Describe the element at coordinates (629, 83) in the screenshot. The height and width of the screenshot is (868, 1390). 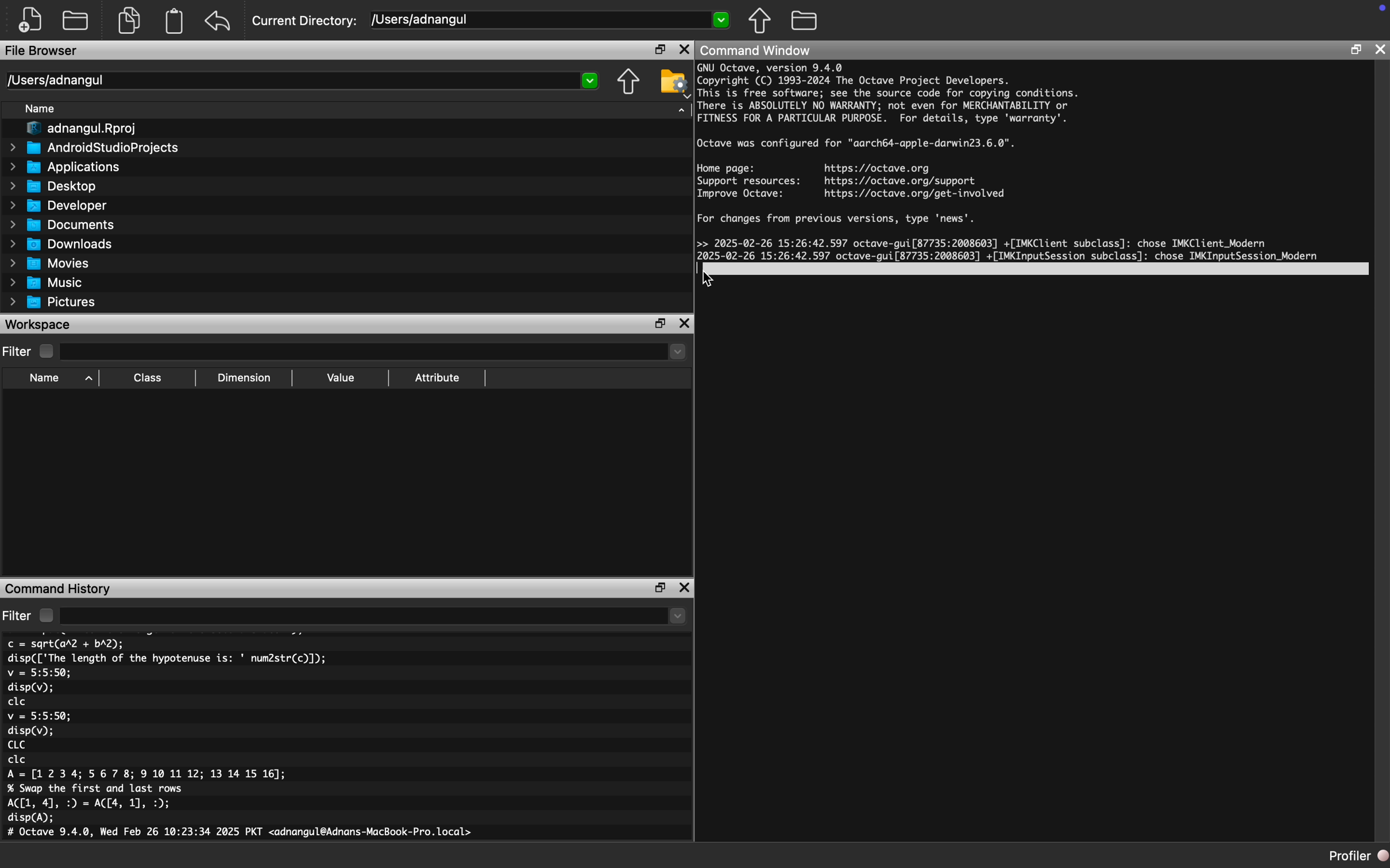
I see `Parent Directory` at that location.